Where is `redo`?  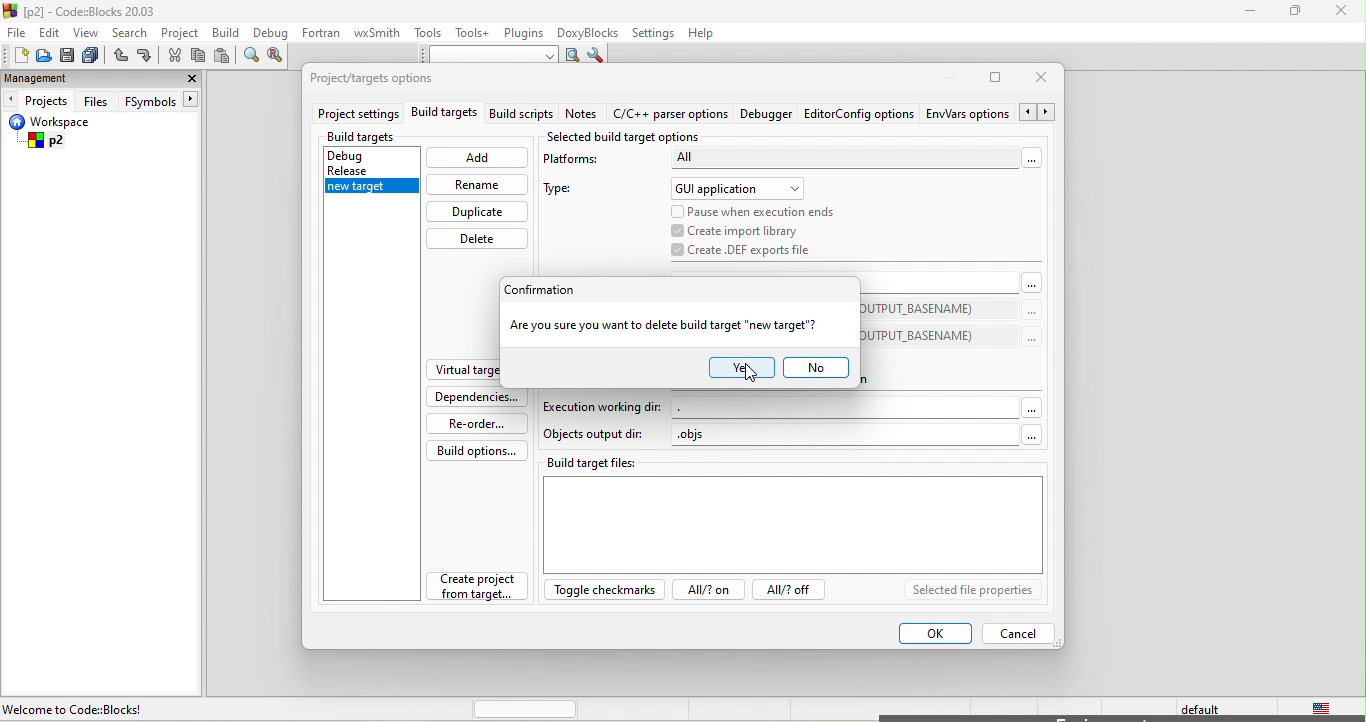 redo is located at coordinates (146, 57).